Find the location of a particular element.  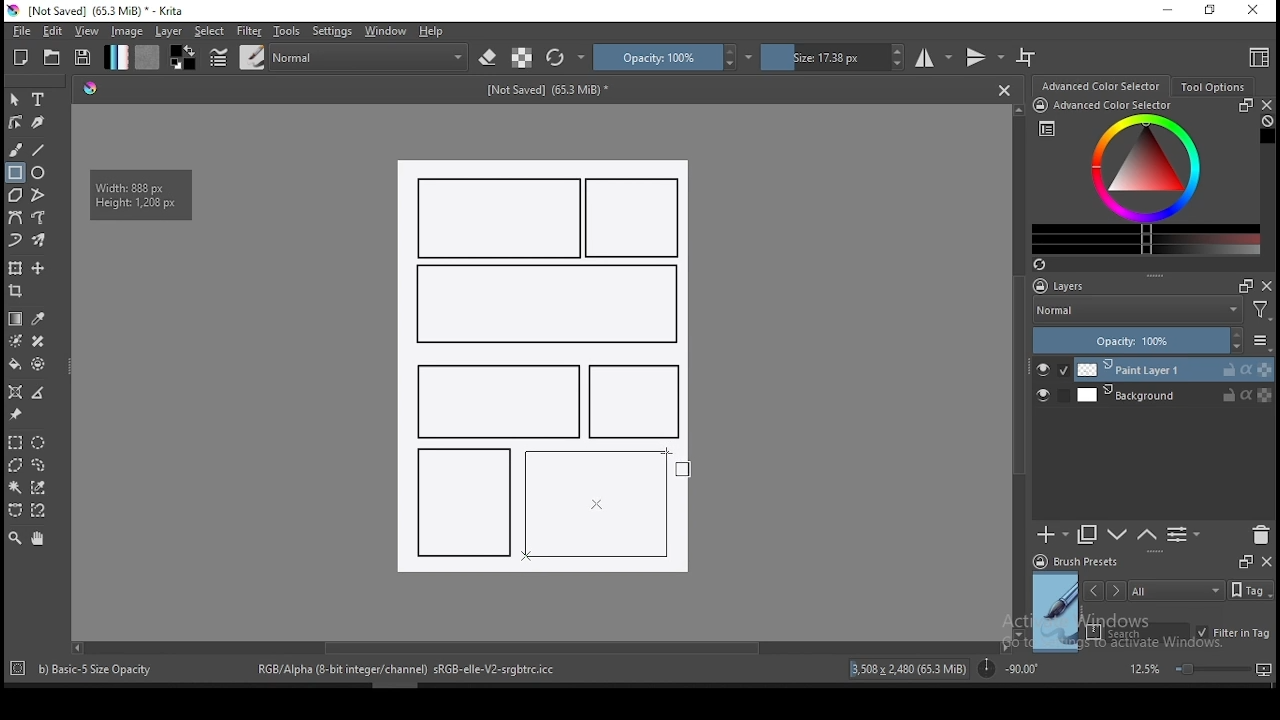

delete layer is located at coordinates (1260, 536).